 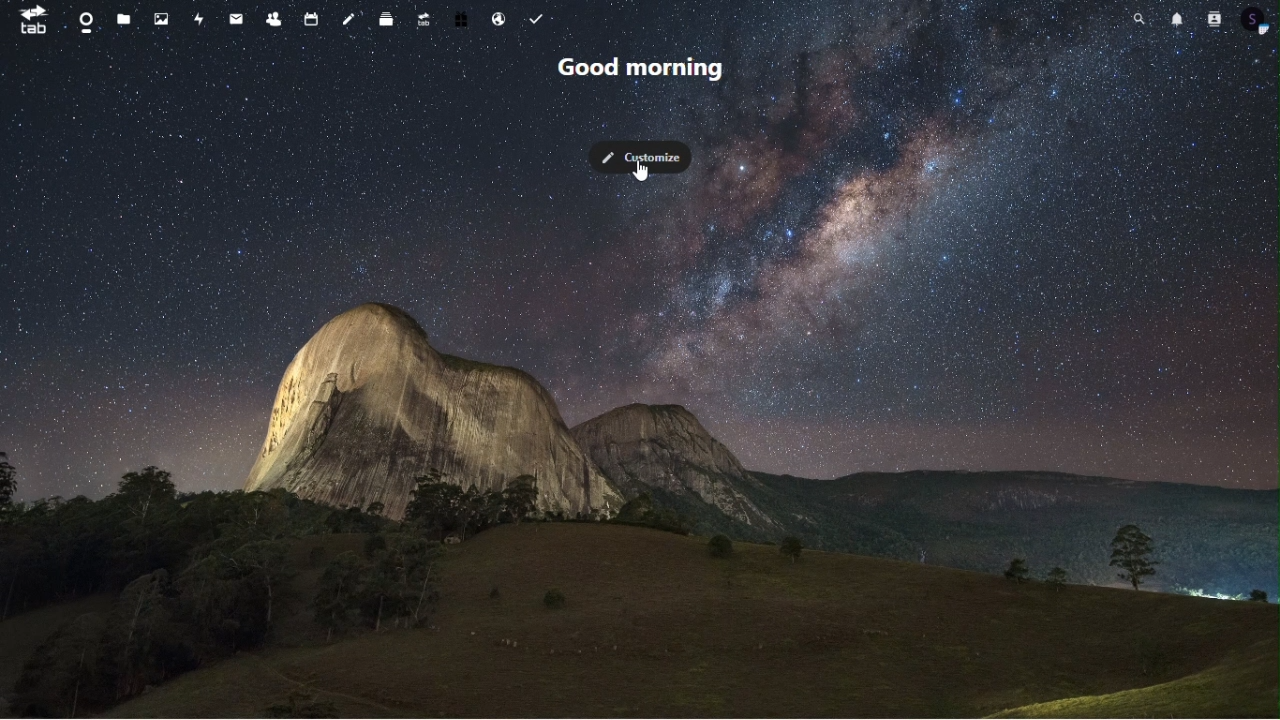 I want to click on customize, so click(x=641, y=157).